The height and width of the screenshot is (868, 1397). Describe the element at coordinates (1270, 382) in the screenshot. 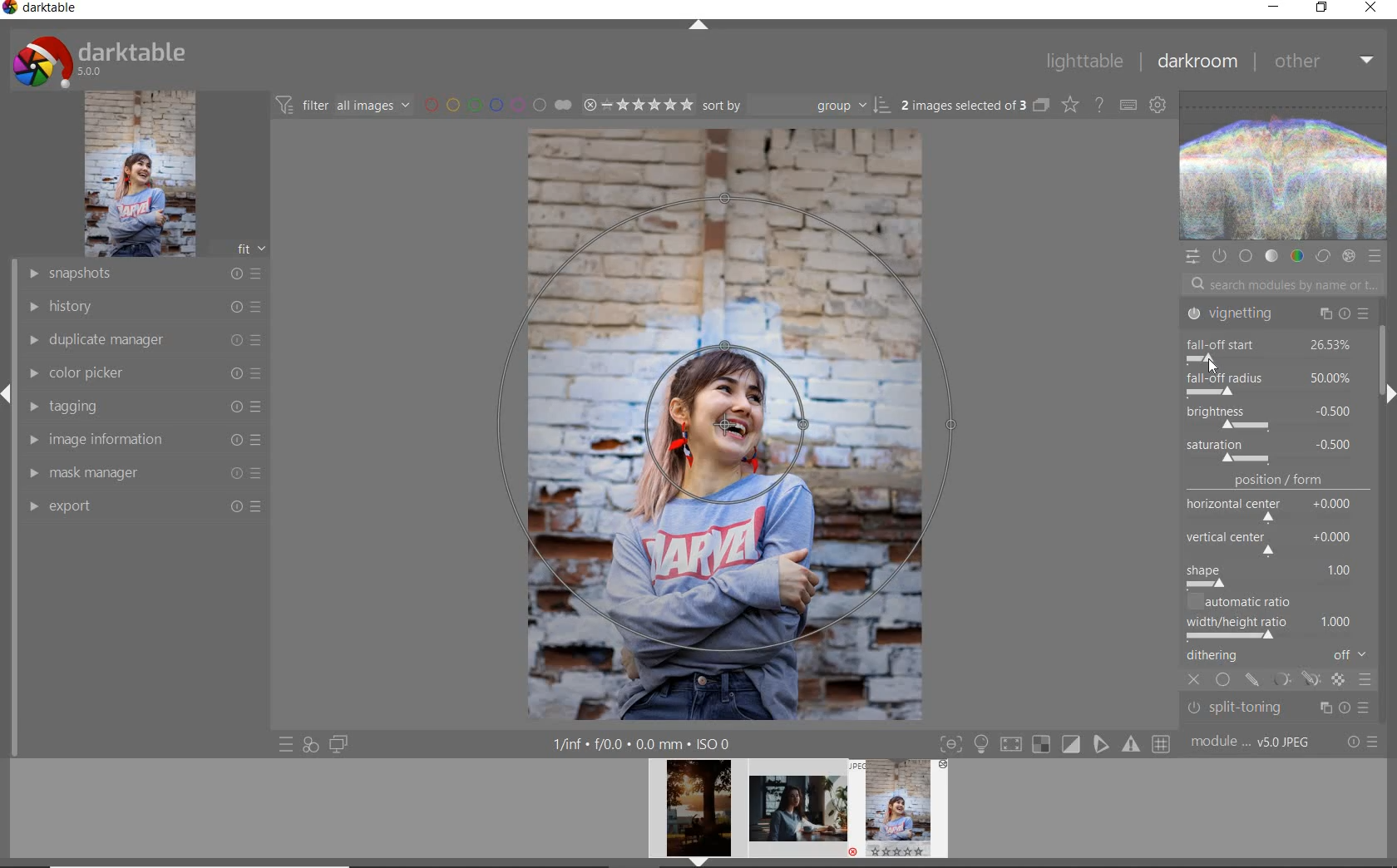

I see `fall-off radius` at that location.